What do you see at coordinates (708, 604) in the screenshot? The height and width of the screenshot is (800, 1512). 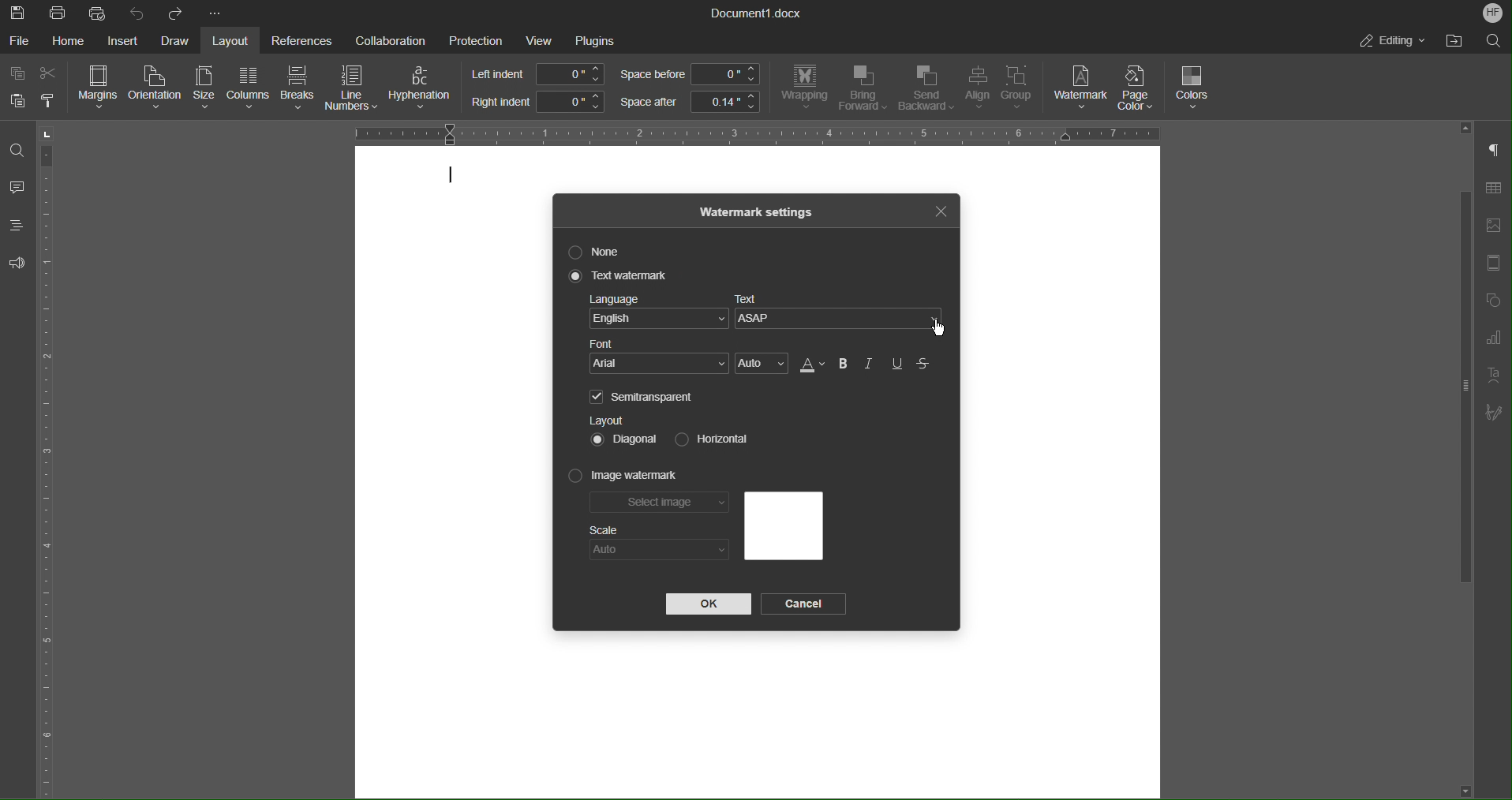 I see `OK` at bounding box center [708, 604].